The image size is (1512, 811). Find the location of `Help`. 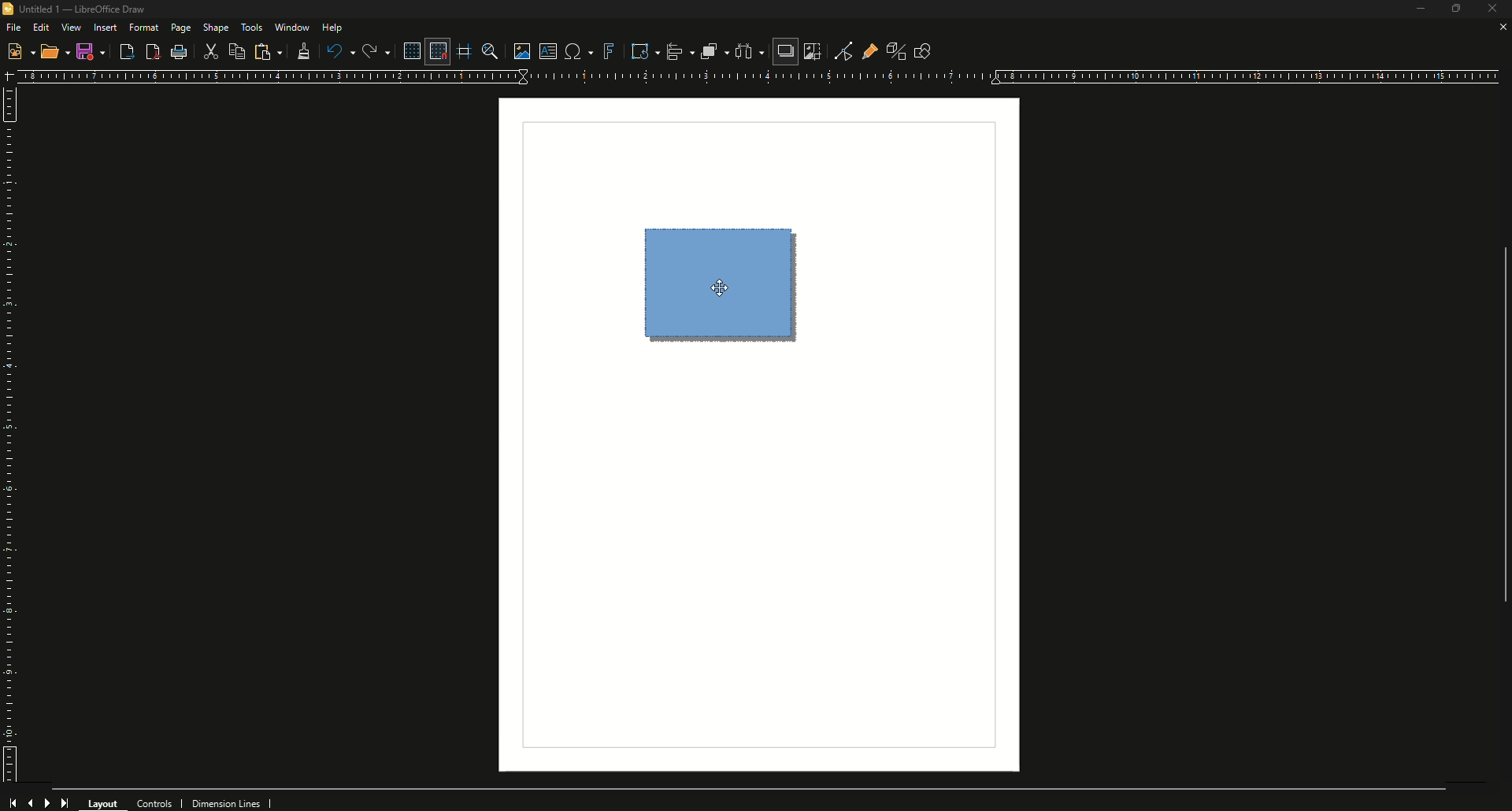

Help is located at coordinates (334, 28).